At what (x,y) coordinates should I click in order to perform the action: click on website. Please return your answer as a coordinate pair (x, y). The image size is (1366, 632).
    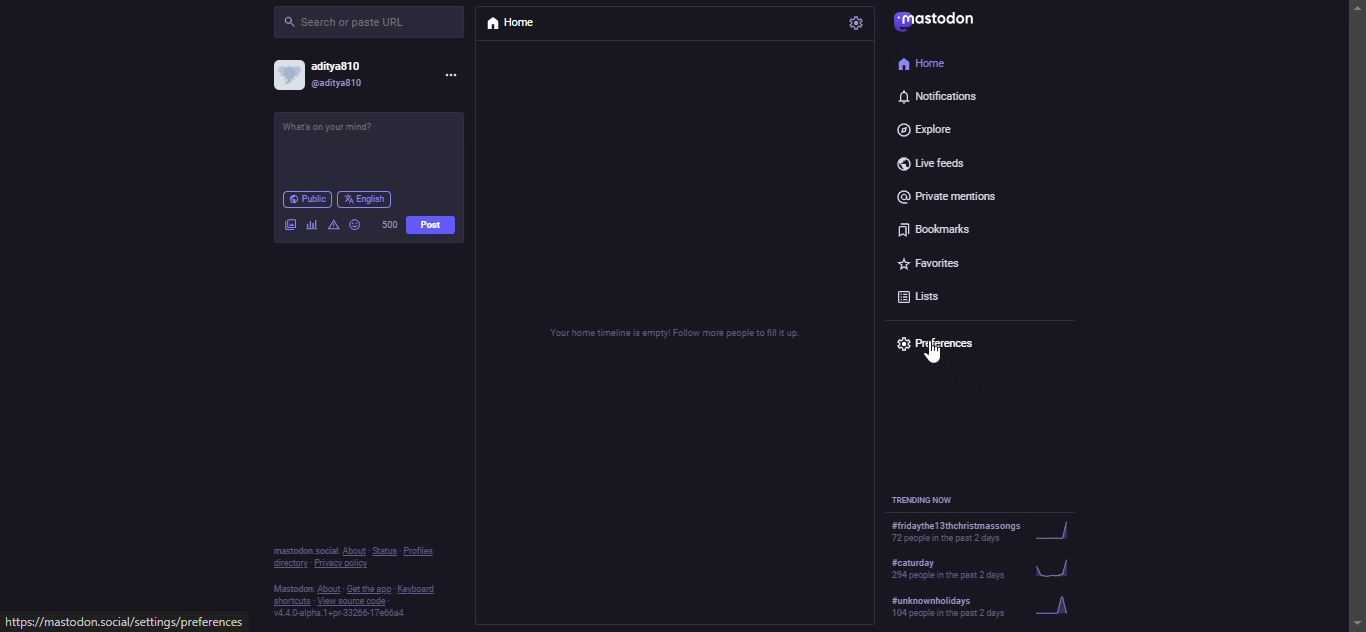
    Looking at the image, I should click on (127, 623).